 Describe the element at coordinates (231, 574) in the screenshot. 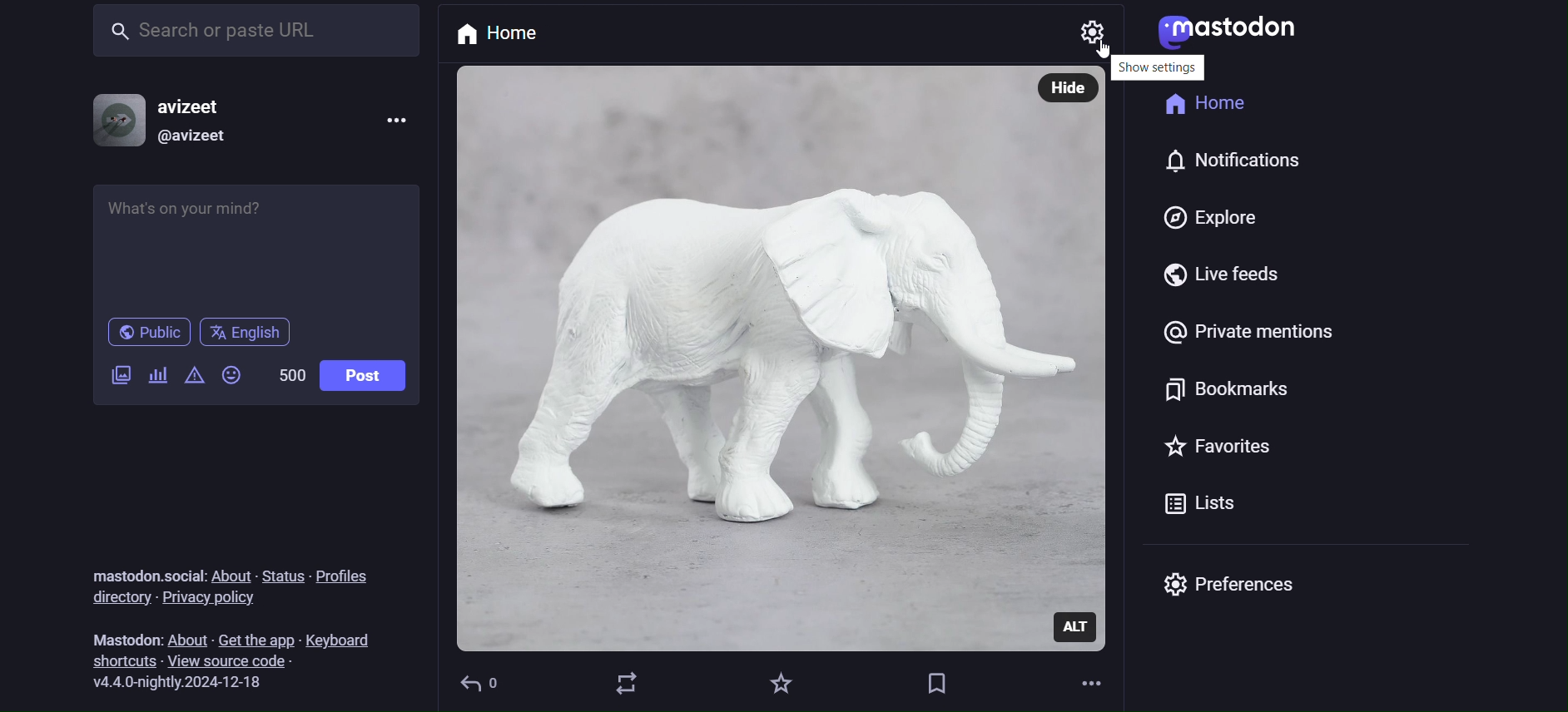

I see `About` at that location.